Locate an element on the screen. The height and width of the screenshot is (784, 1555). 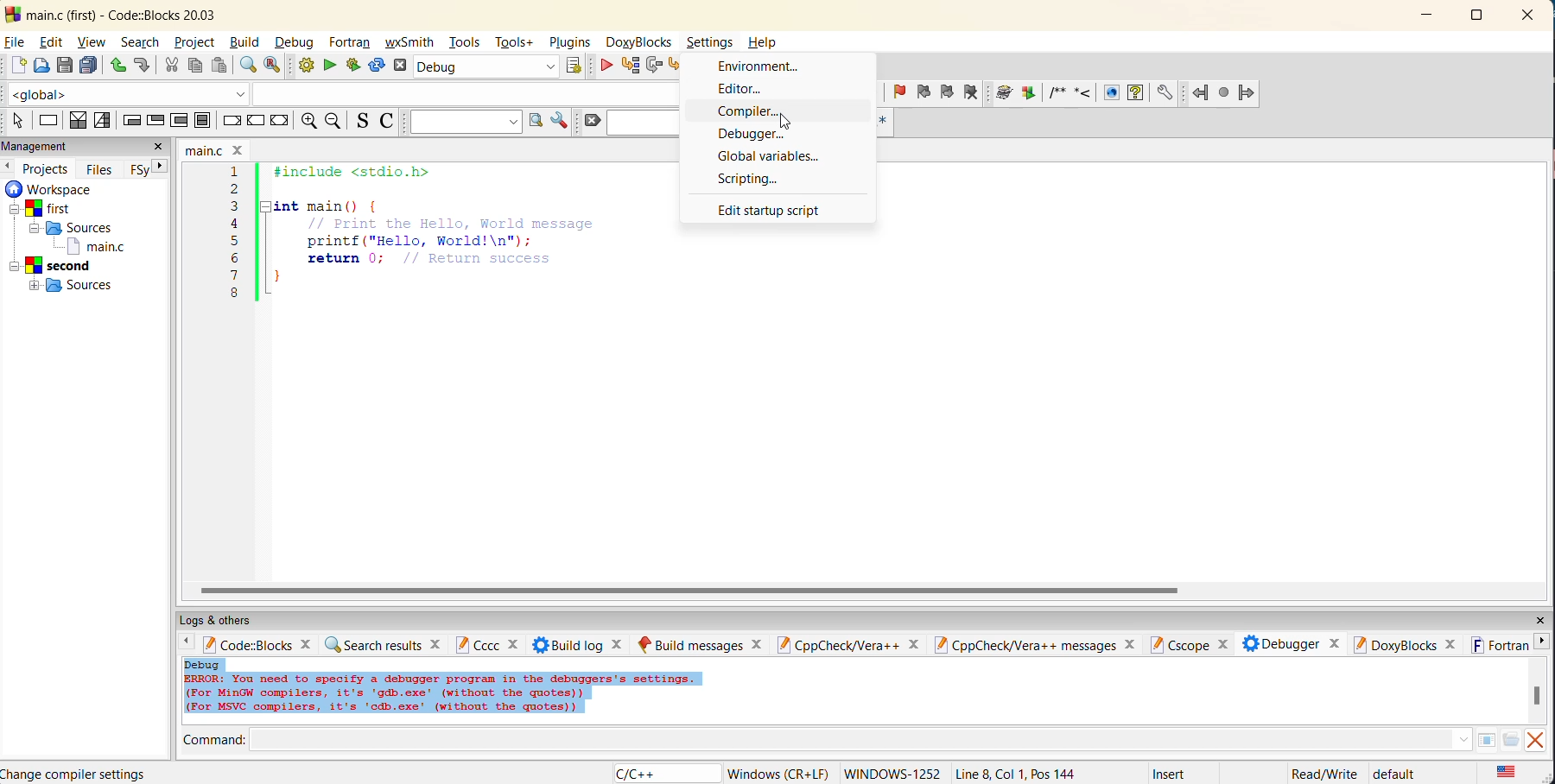
Jump forward is located at coordinates (1246, 93).